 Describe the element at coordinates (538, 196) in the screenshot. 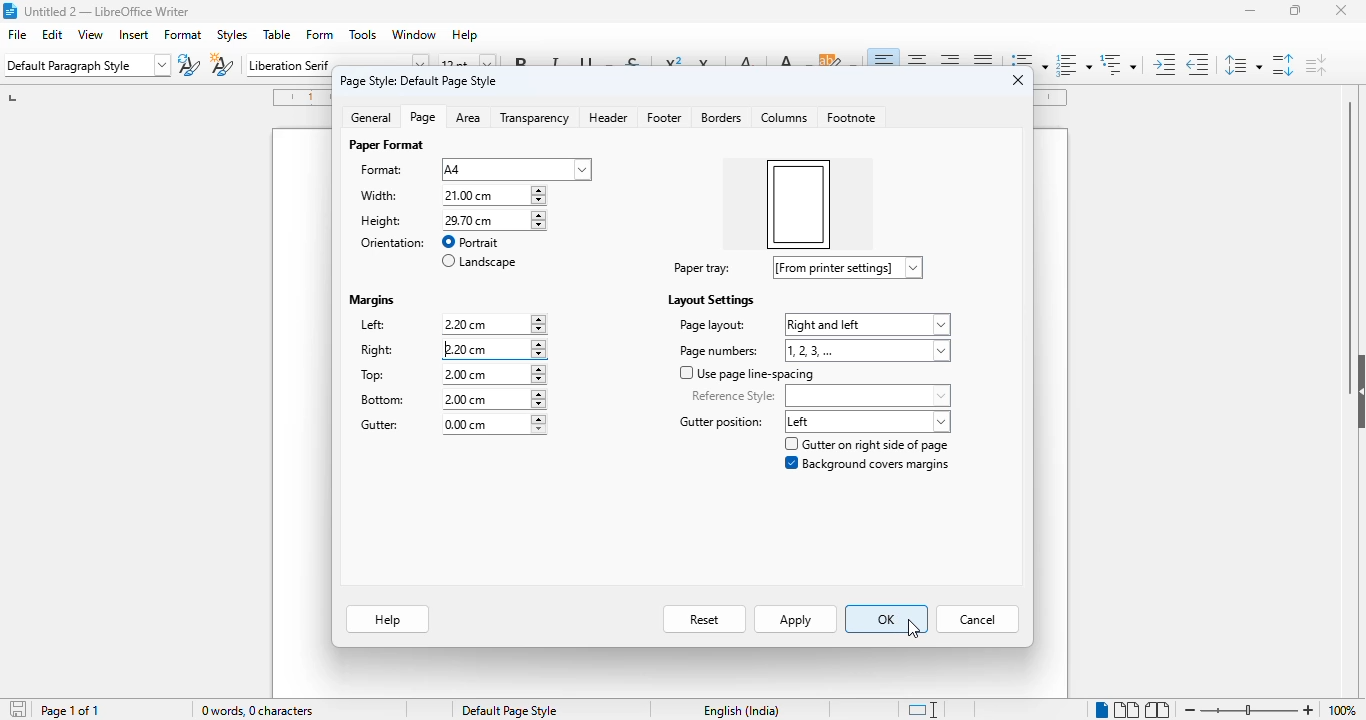

I see `increment or decrement width` at that location.